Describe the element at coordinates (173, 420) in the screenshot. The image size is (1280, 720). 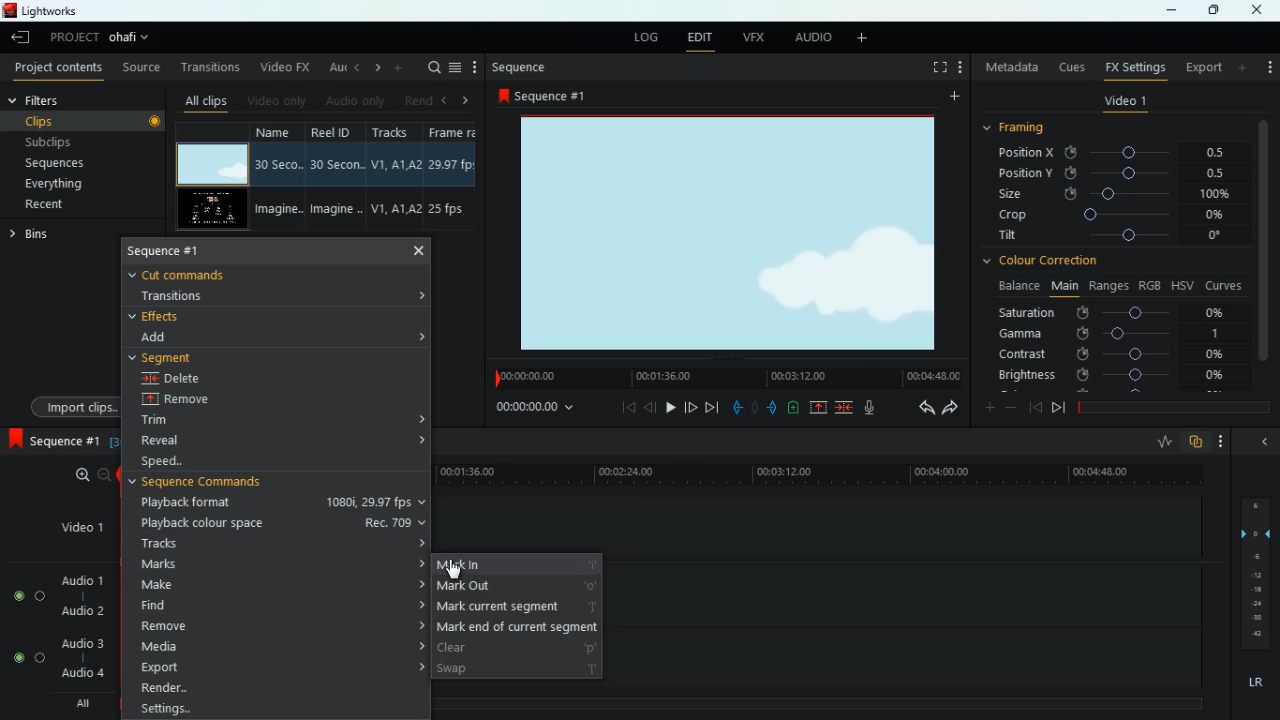
I see `trim` at that location.